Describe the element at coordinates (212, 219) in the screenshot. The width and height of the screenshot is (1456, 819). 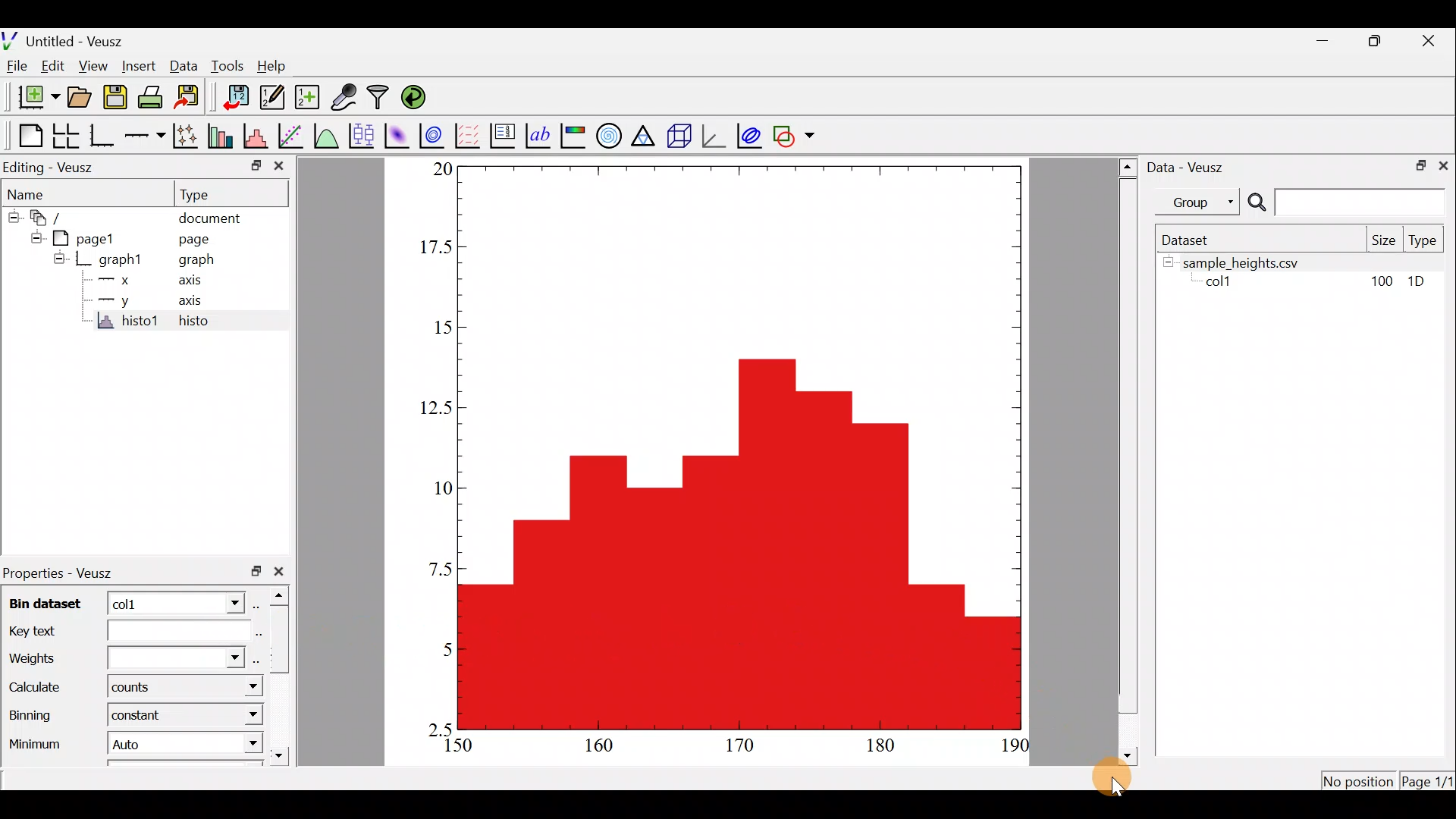
I see `document` at that location.